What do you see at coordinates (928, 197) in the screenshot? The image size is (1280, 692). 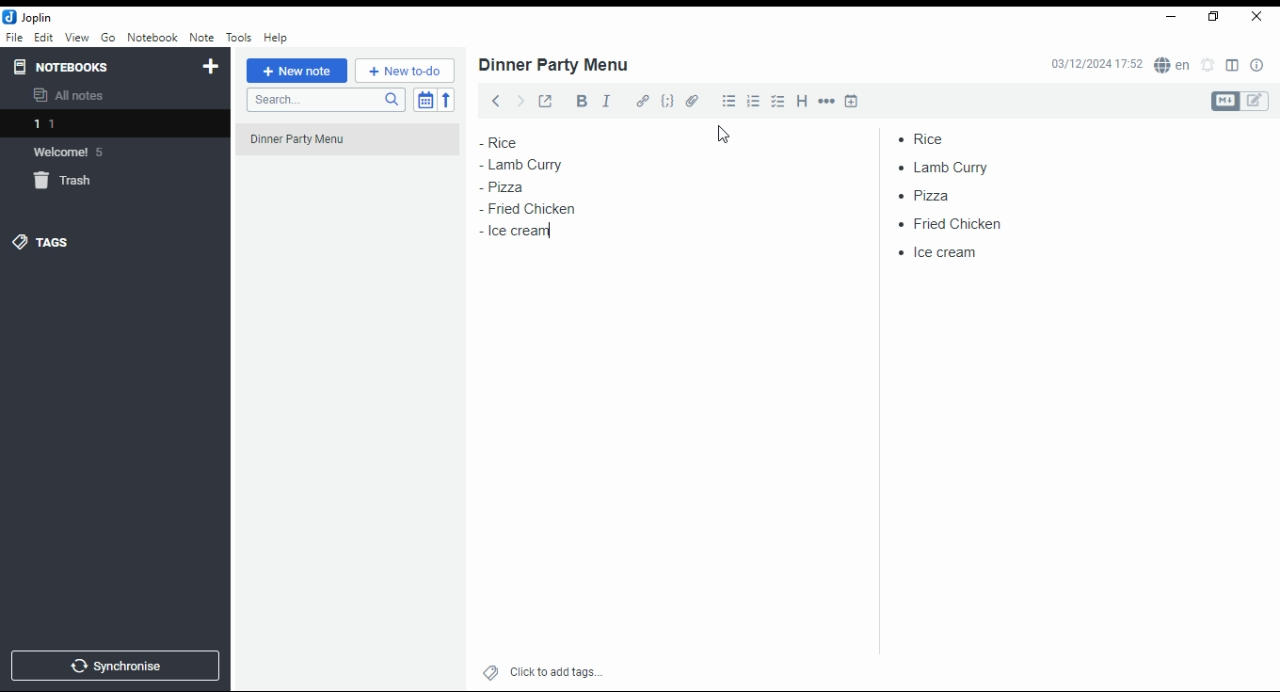 I see `pizza` at bounding box center [928, 197].